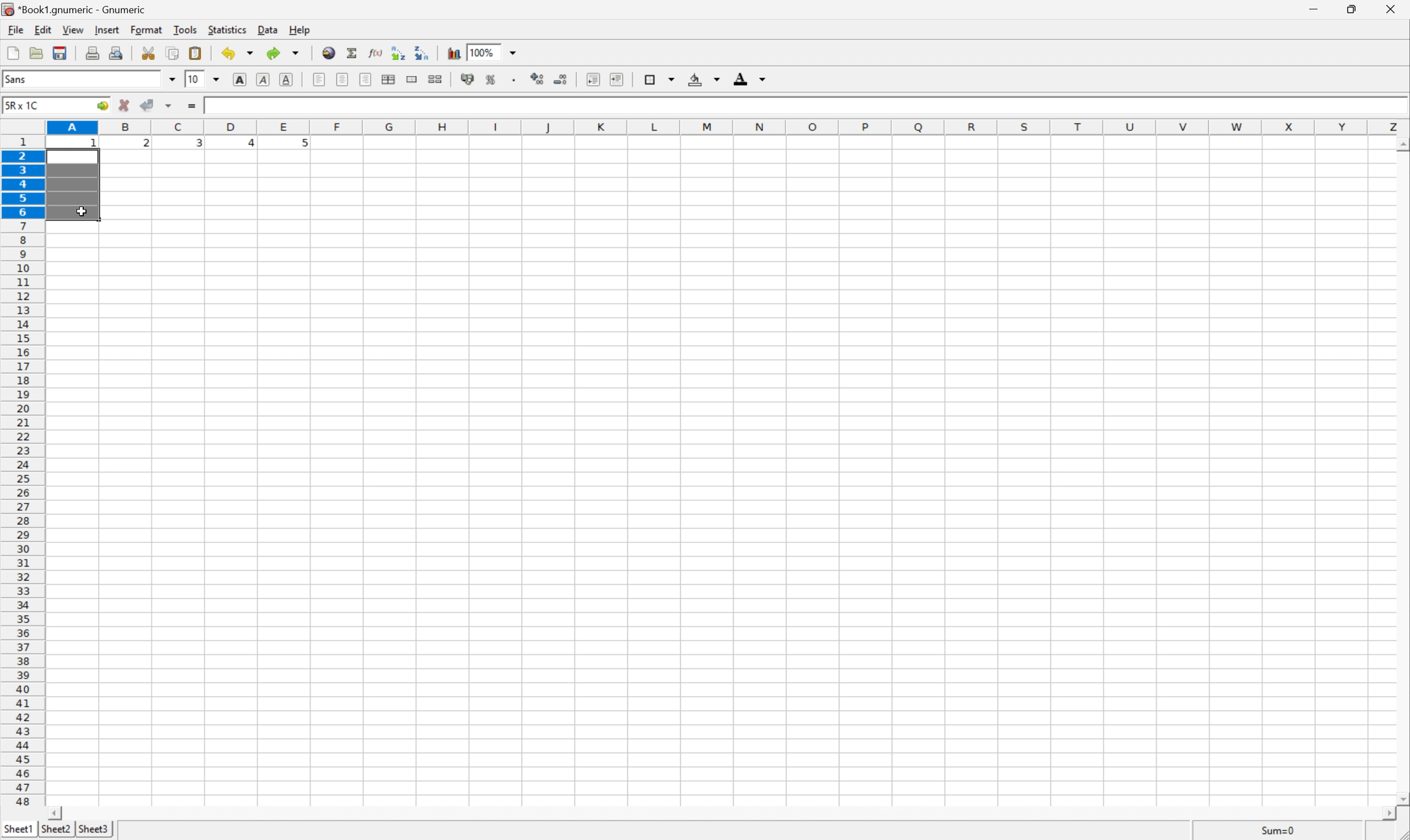  I want to click on scroll left, so click(58, 813).